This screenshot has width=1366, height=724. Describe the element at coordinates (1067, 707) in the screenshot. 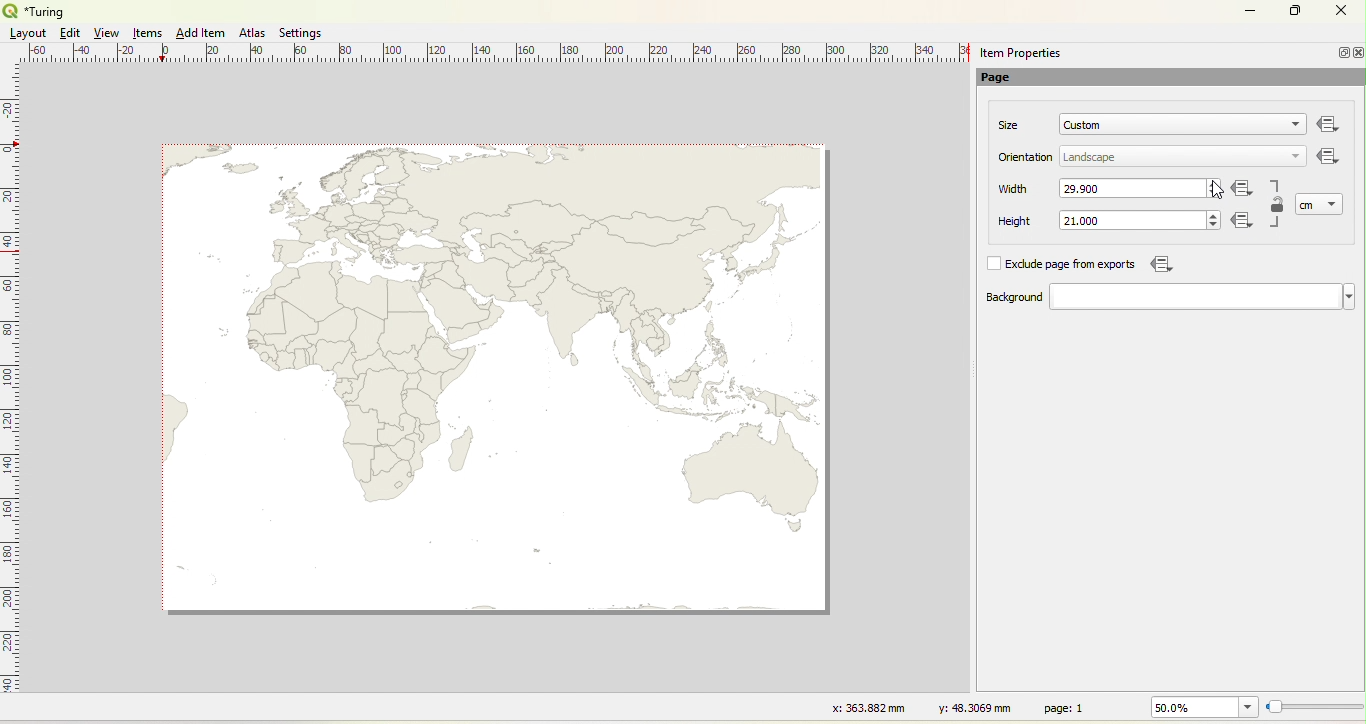

I see `page: 1` at that location.